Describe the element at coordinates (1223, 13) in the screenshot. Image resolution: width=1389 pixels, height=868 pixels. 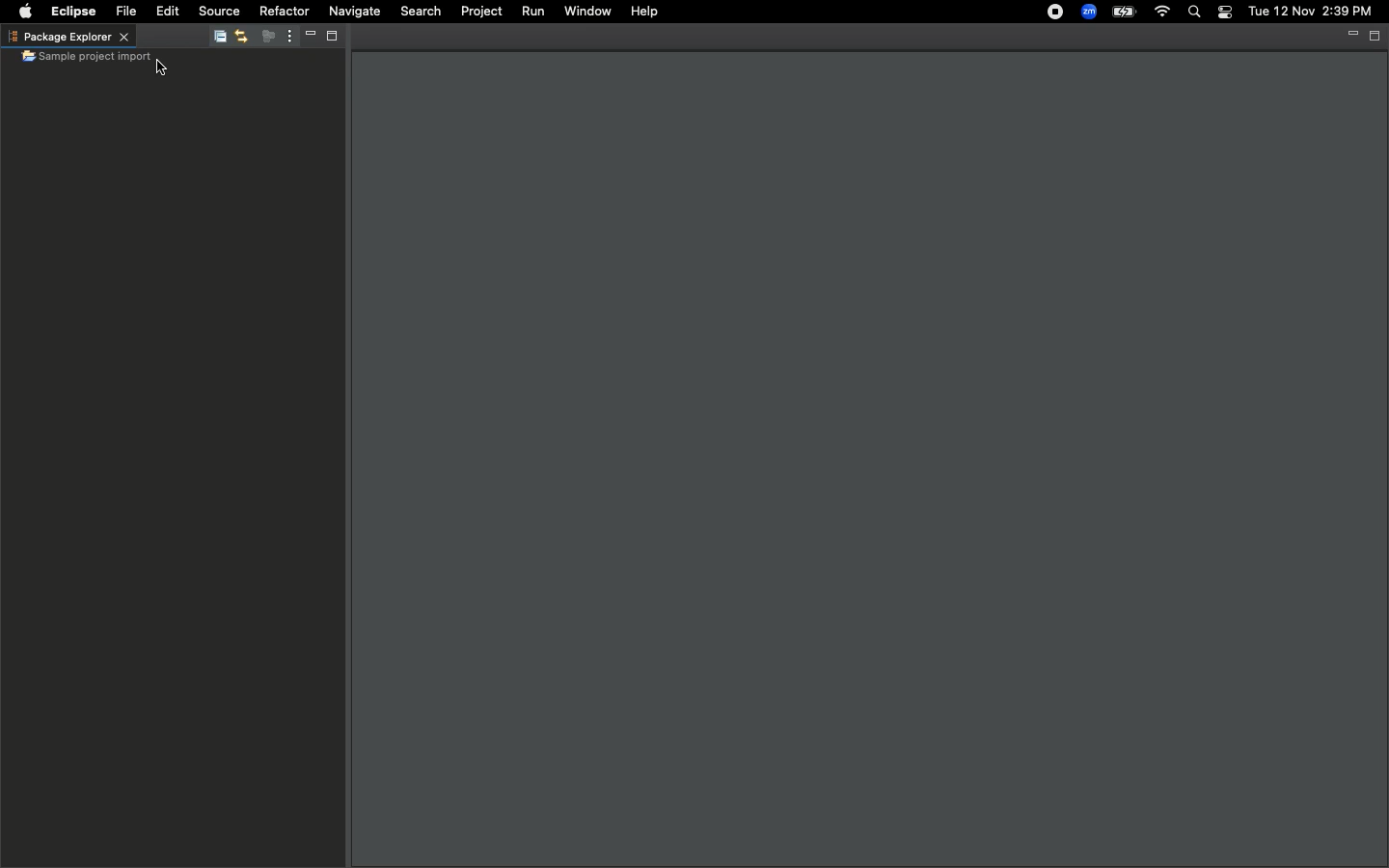
I see `Control center` at that location.